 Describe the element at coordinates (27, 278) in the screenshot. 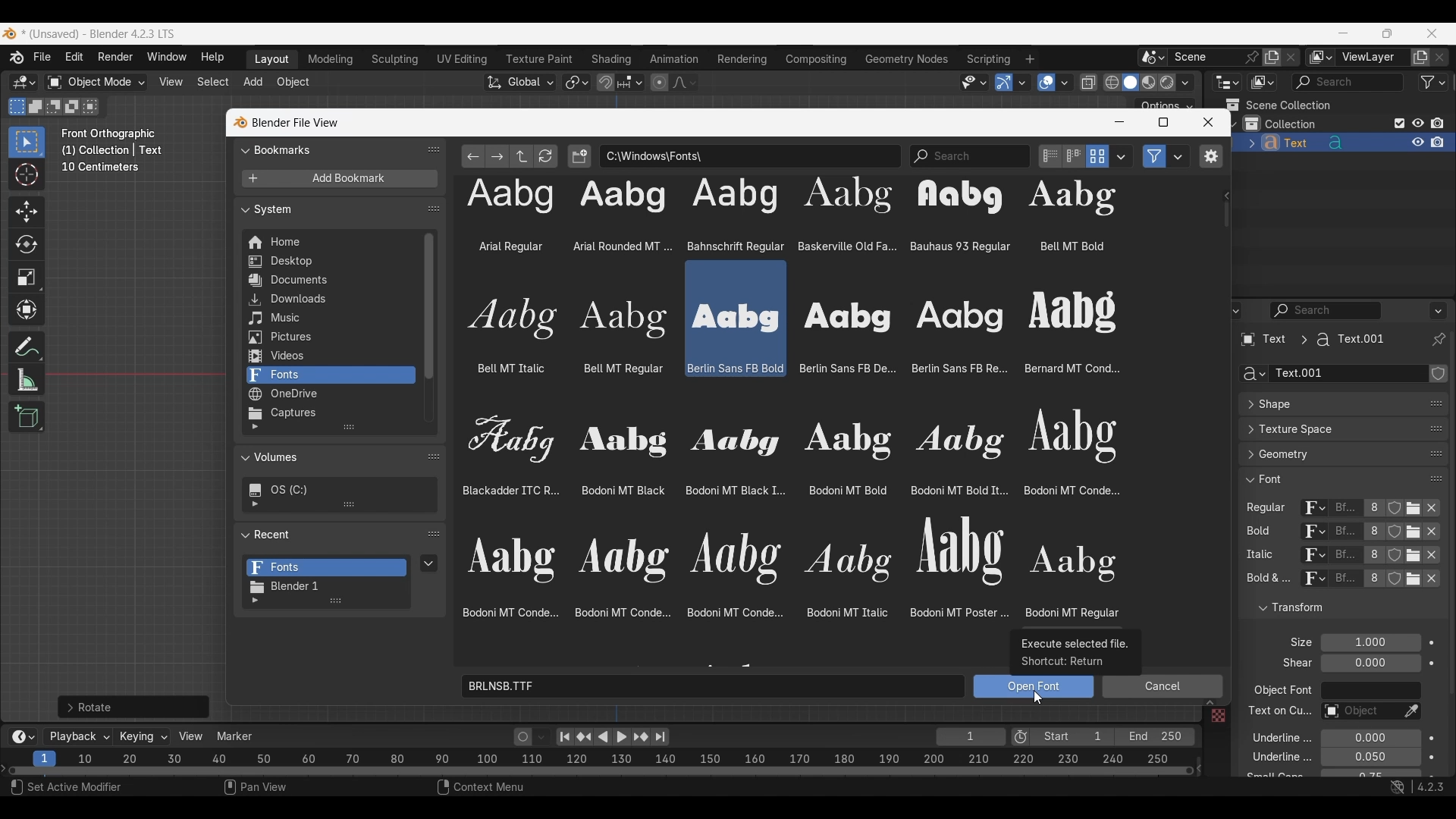

I see `Scale` at that location.